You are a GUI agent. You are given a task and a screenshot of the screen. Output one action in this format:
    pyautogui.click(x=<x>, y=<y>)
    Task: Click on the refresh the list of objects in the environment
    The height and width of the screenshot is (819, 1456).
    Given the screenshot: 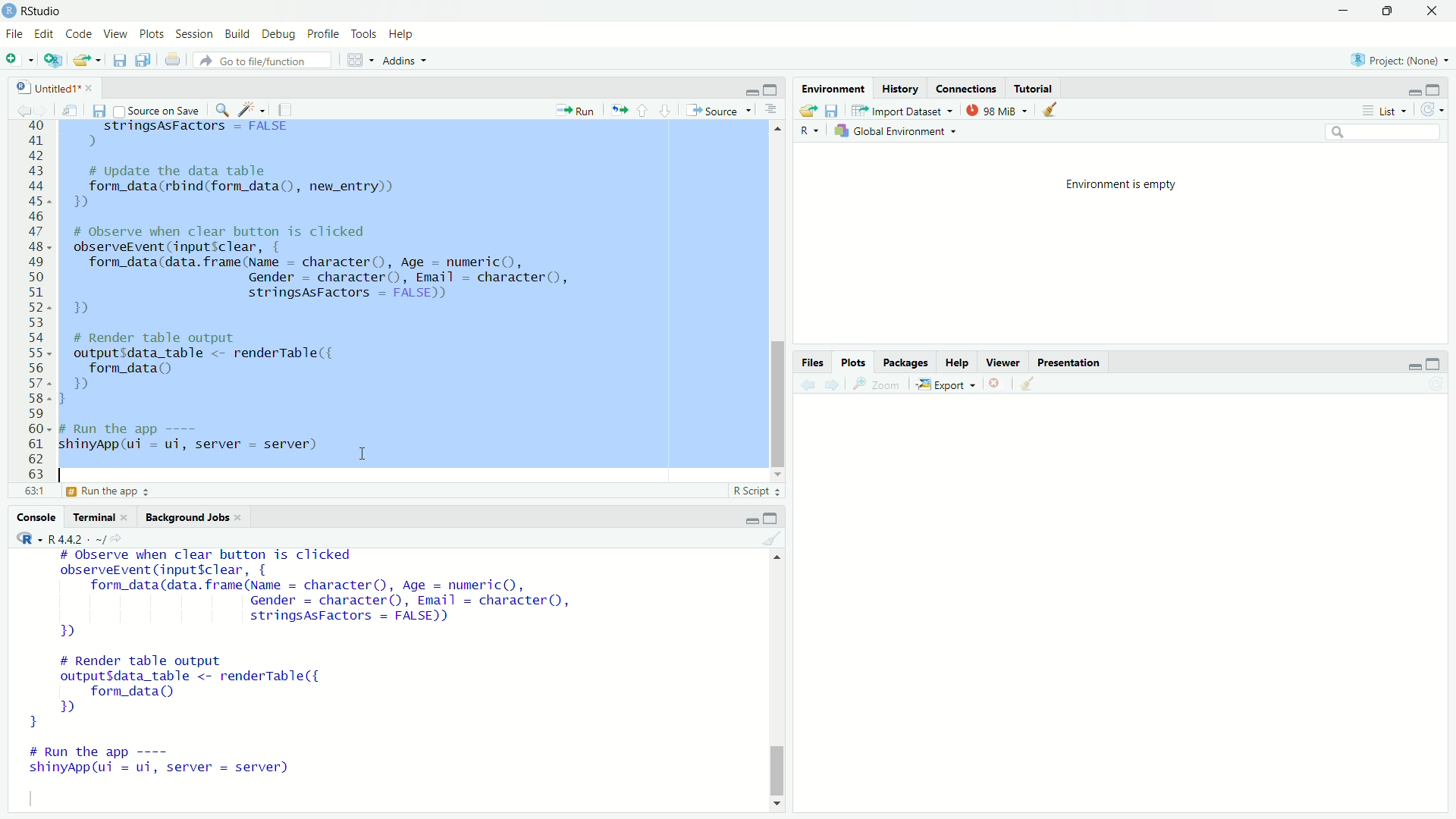 What is the action you would take?
    pyautogui.click(x=1438, y=111)
    